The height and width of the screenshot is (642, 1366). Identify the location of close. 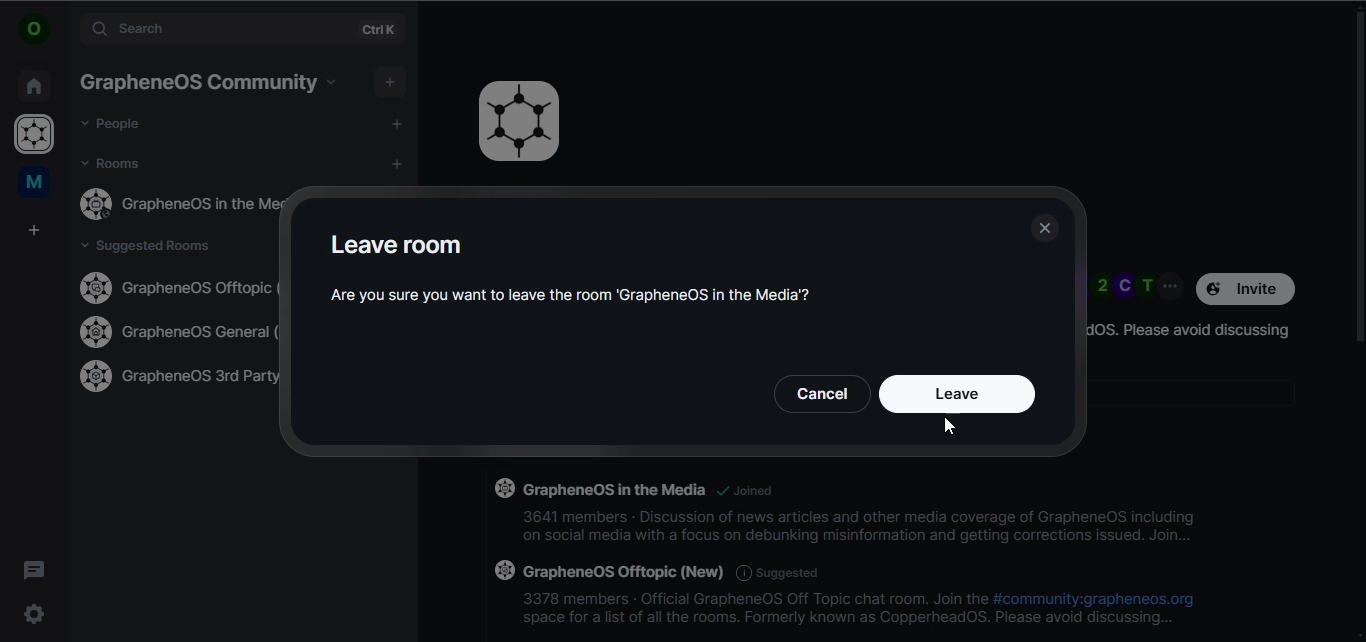
(1047, 227).